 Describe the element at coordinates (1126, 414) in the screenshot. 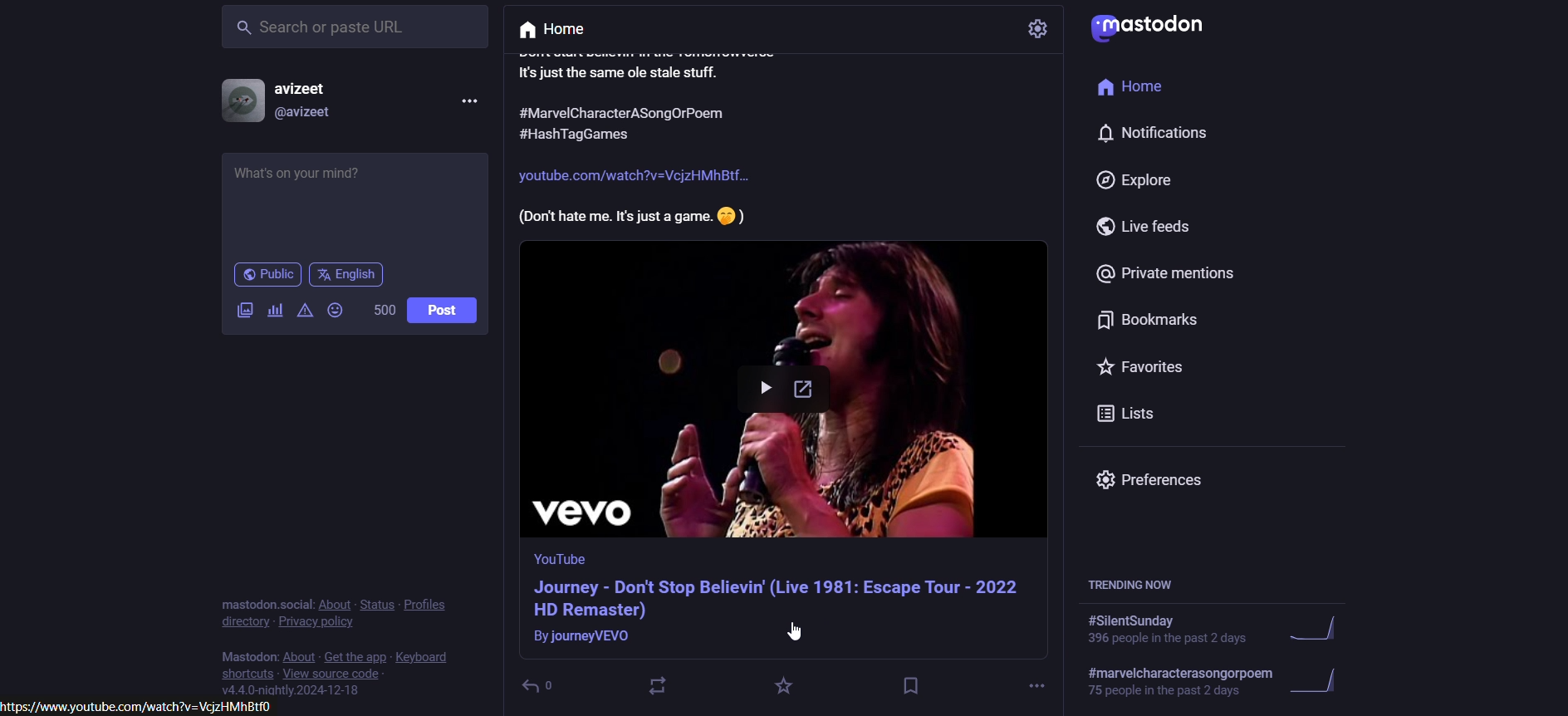

I see `lists` at that location.